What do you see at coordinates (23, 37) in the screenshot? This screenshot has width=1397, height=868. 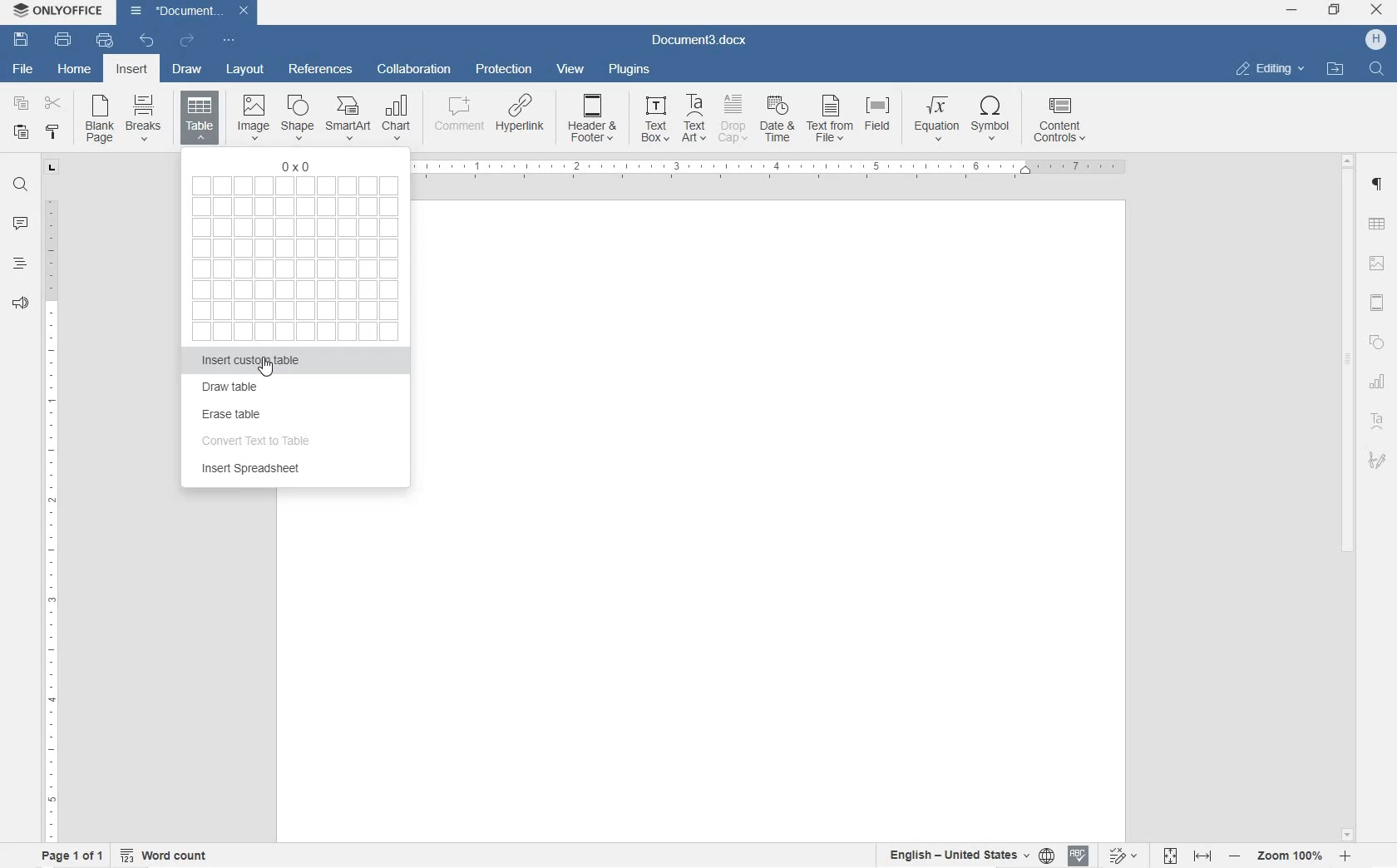 I see `SAVE` at bounding box center [23, 37].